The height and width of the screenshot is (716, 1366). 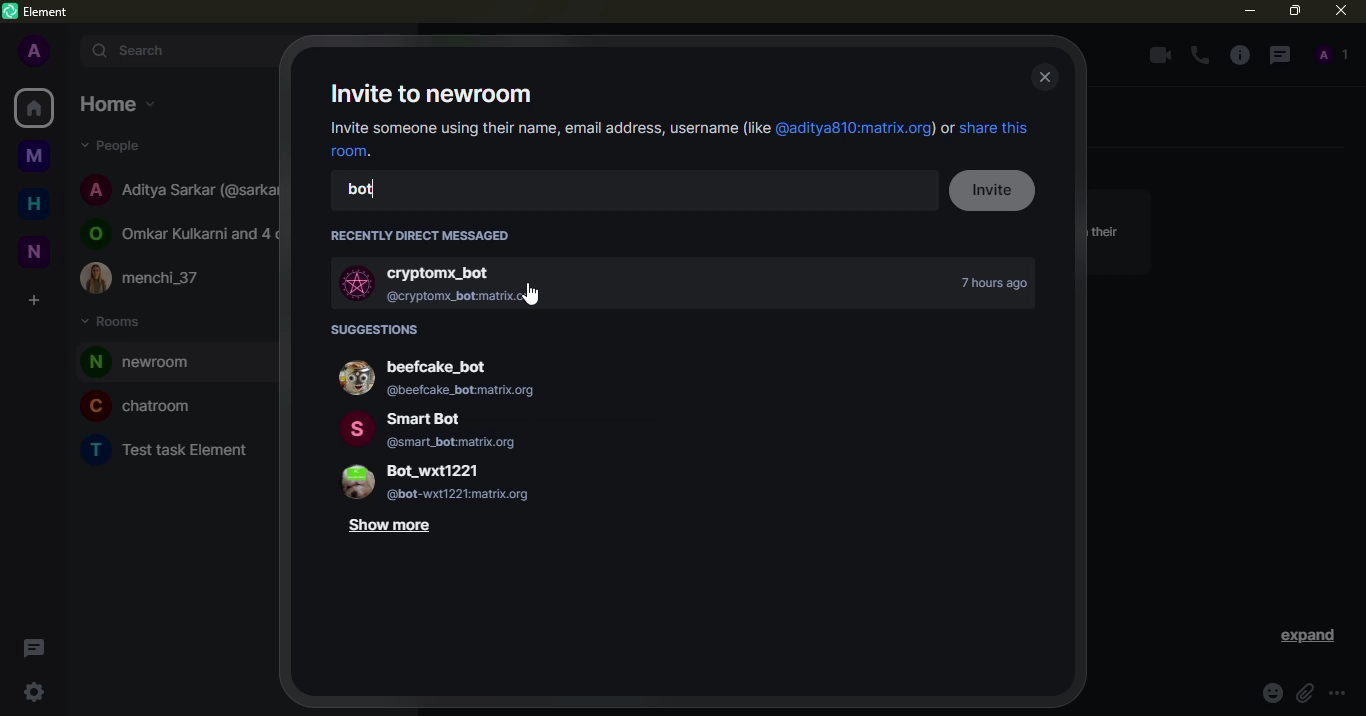 What do you see at coordinates (145, 51) in the screenshot?
I see `search` at bounding box center [145, 51].